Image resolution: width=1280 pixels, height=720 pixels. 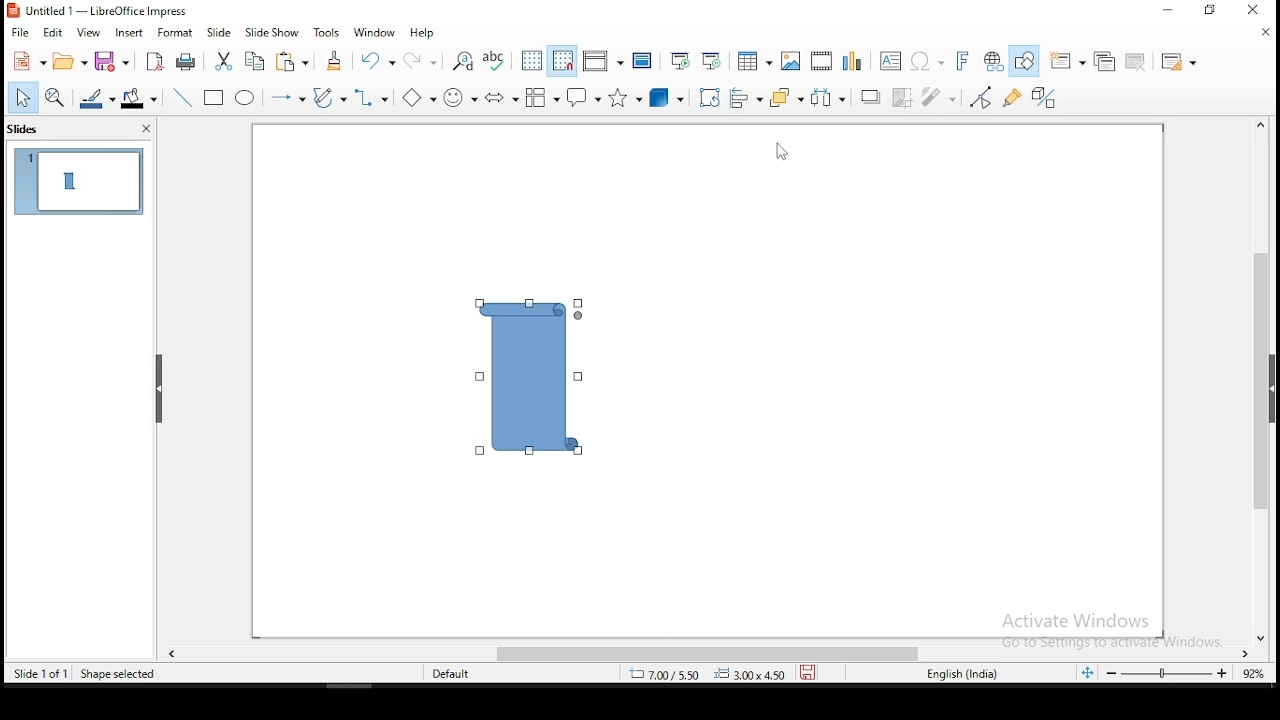 I want to click on close pane, so click(x=145, y=131).